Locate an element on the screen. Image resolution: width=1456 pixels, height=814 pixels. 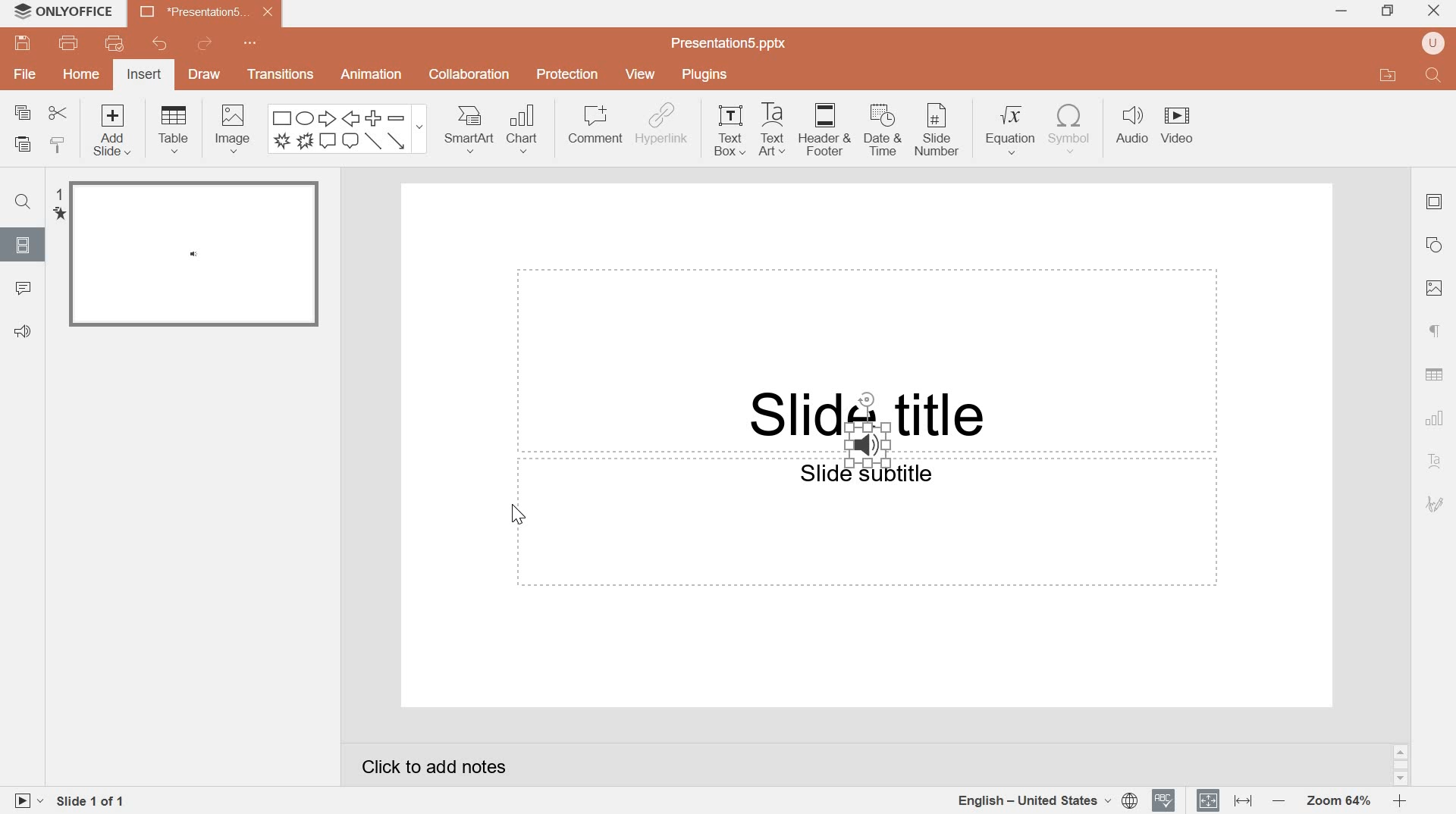
Presentation5.pptx is located at coordinates (730, 42).